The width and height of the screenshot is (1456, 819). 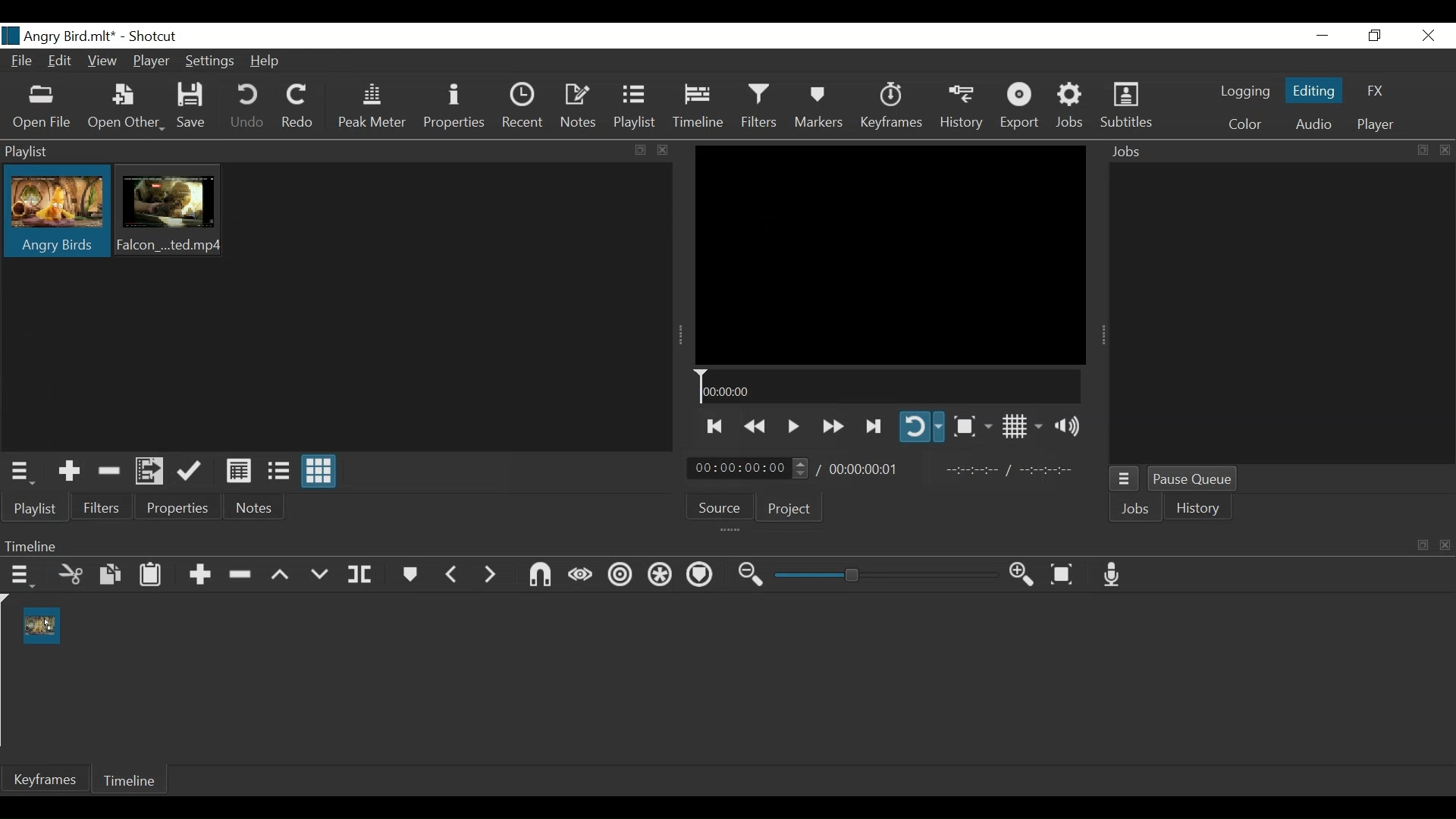 I want to click on Timeline, so click(x=136, y=782).